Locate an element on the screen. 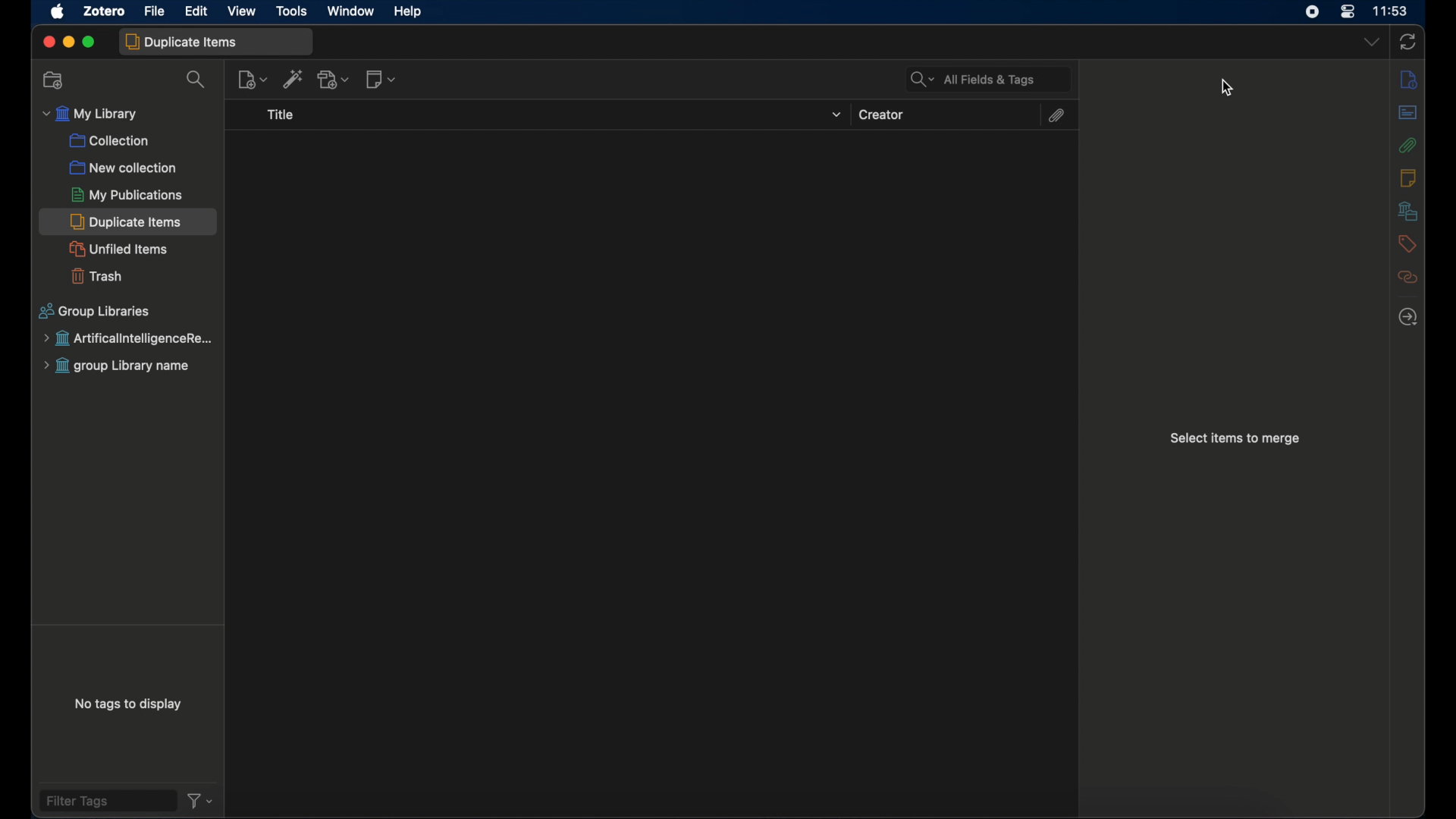 The width and height of the screenshot is (1456, 819). add item by identifier is located at coordinates (293, 80).